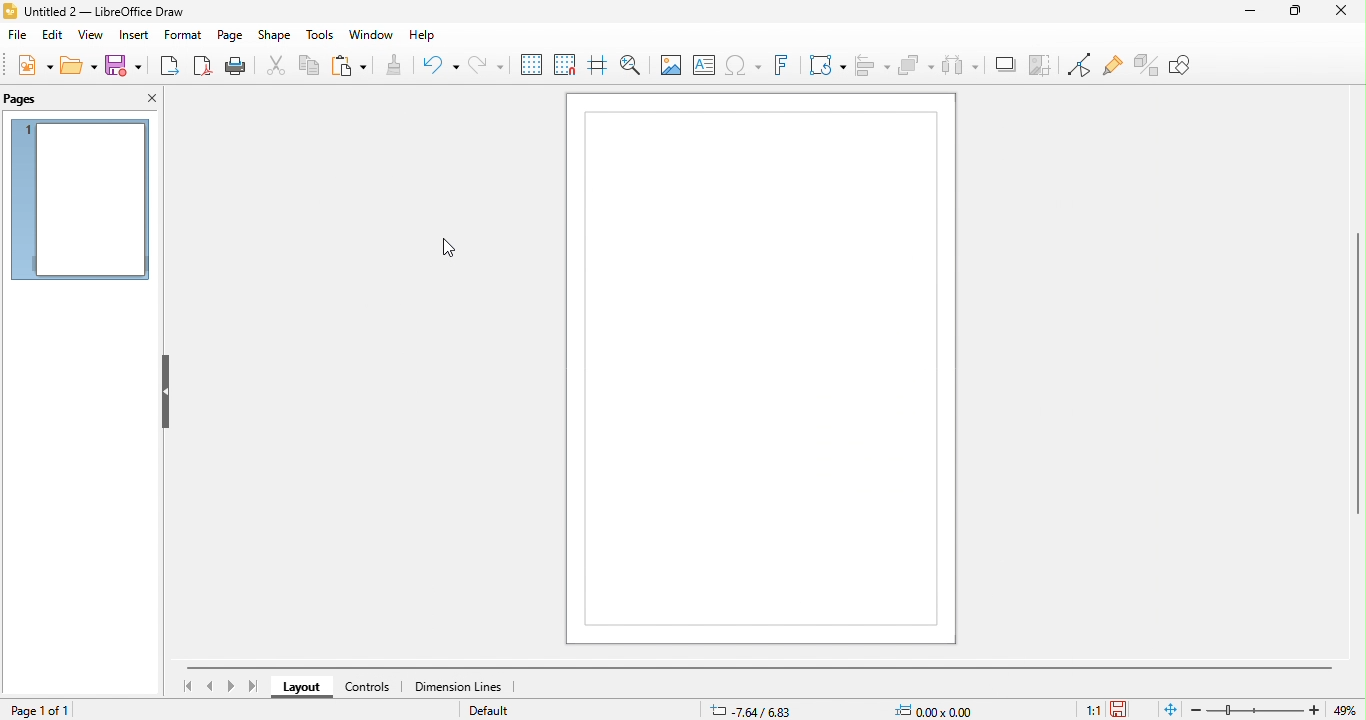 The width and height of the screenshot is (1366, 720). I want to click on changed to portrait, so click(765, 372).